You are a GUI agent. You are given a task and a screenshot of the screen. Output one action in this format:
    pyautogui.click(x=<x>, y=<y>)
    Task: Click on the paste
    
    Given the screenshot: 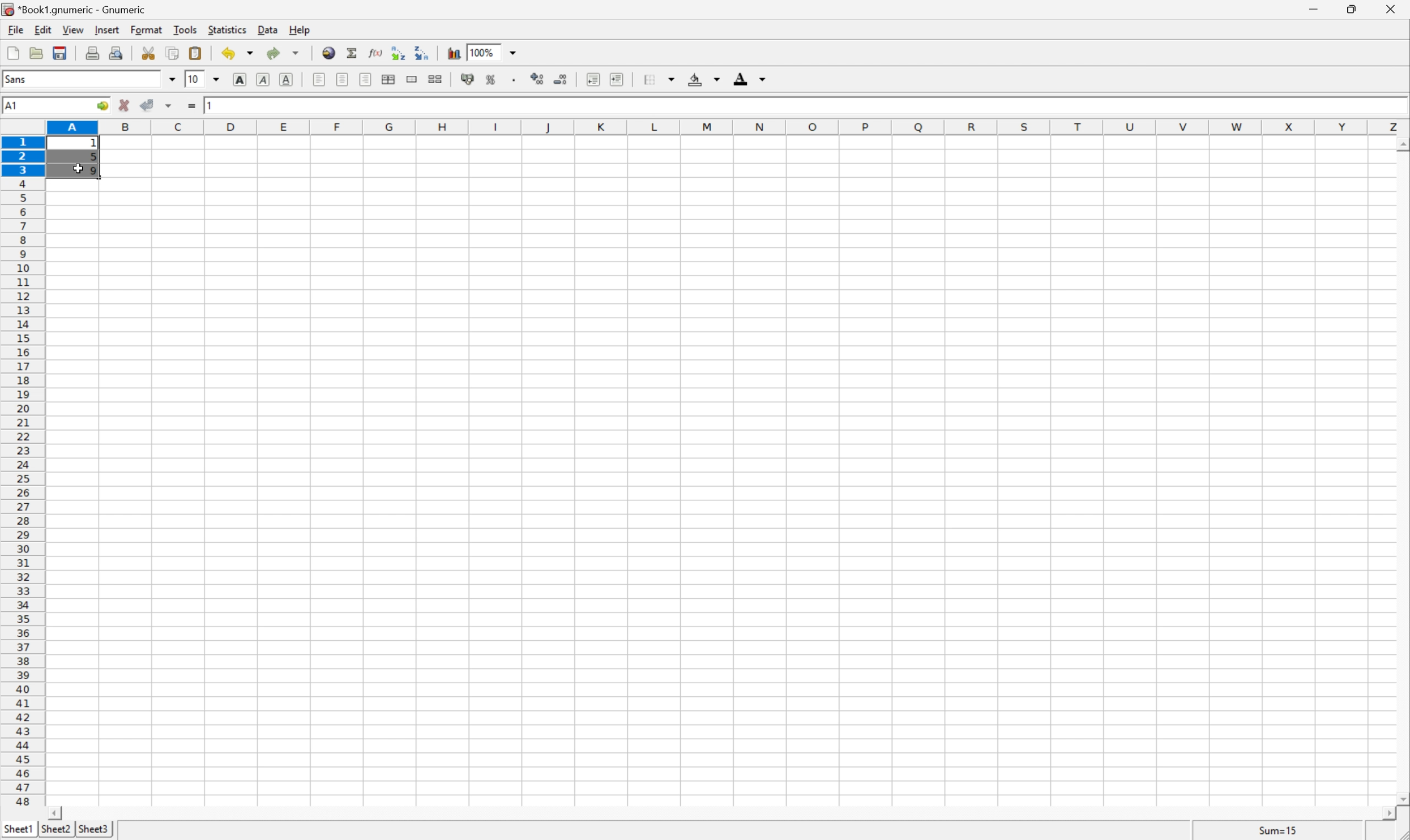 What is the action you would take?
    pyautogui.click(x=198, y=53)
    